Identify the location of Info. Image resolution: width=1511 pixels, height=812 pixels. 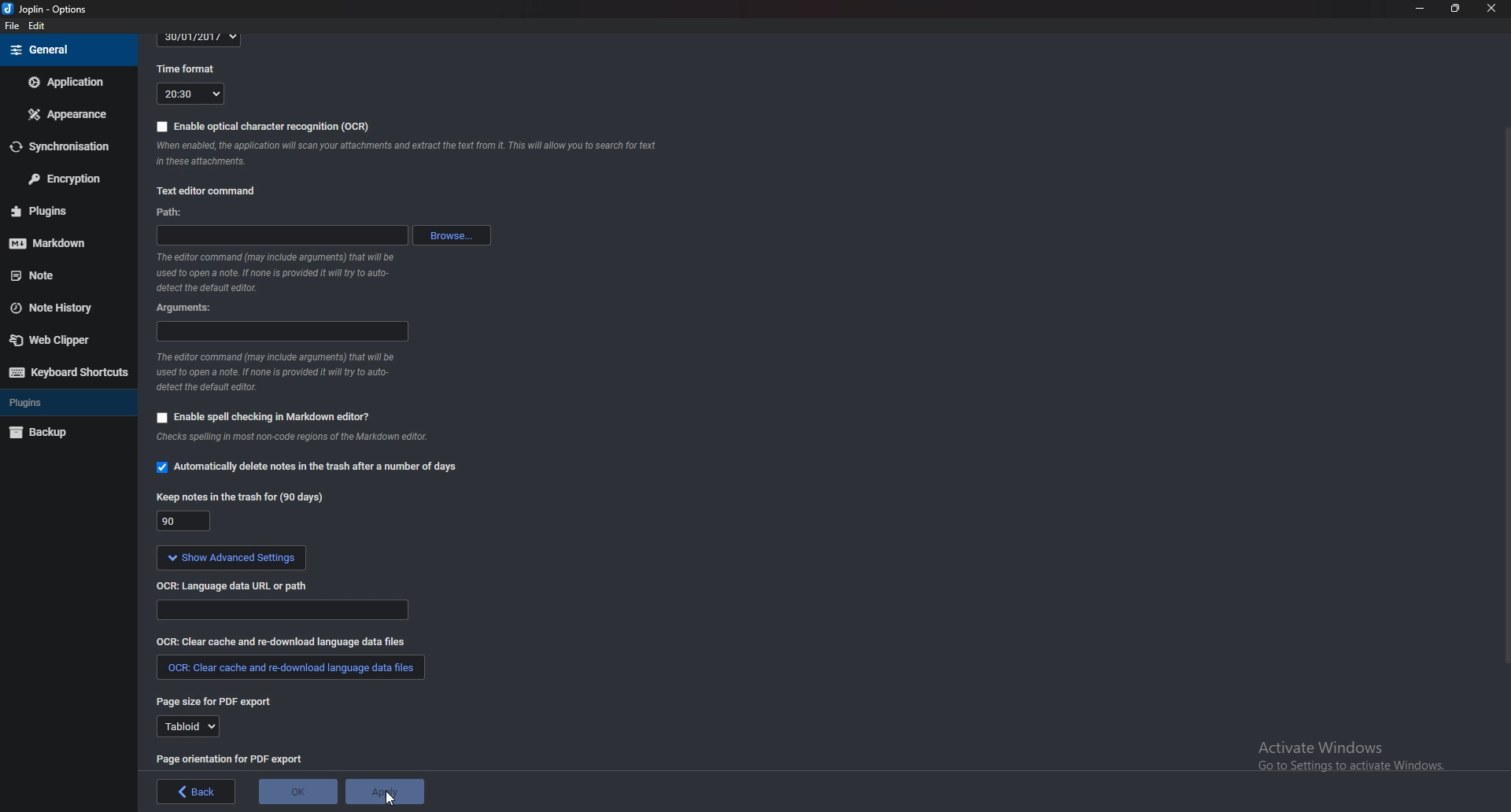
(304, 439).